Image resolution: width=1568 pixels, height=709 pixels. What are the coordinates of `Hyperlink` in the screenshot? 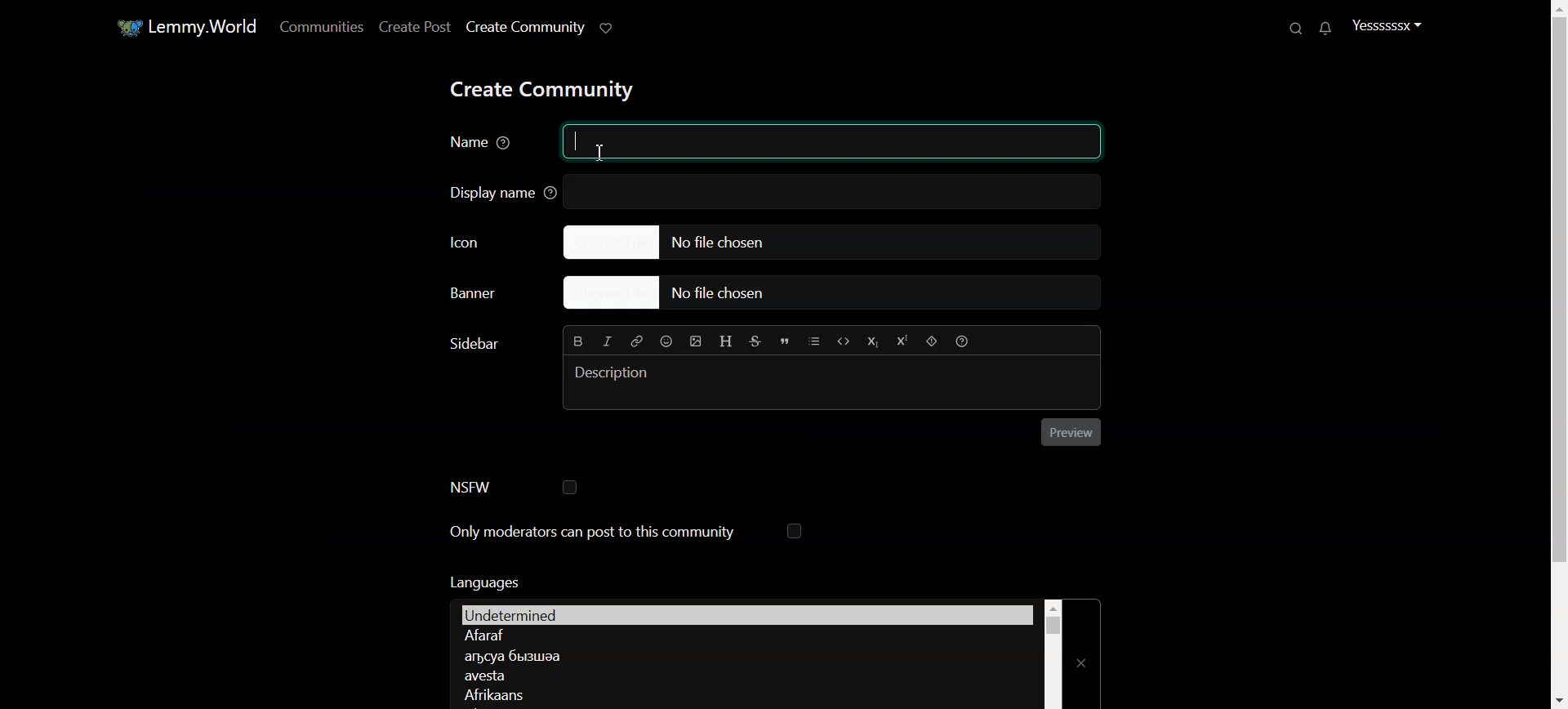 It's located at (635, 341).